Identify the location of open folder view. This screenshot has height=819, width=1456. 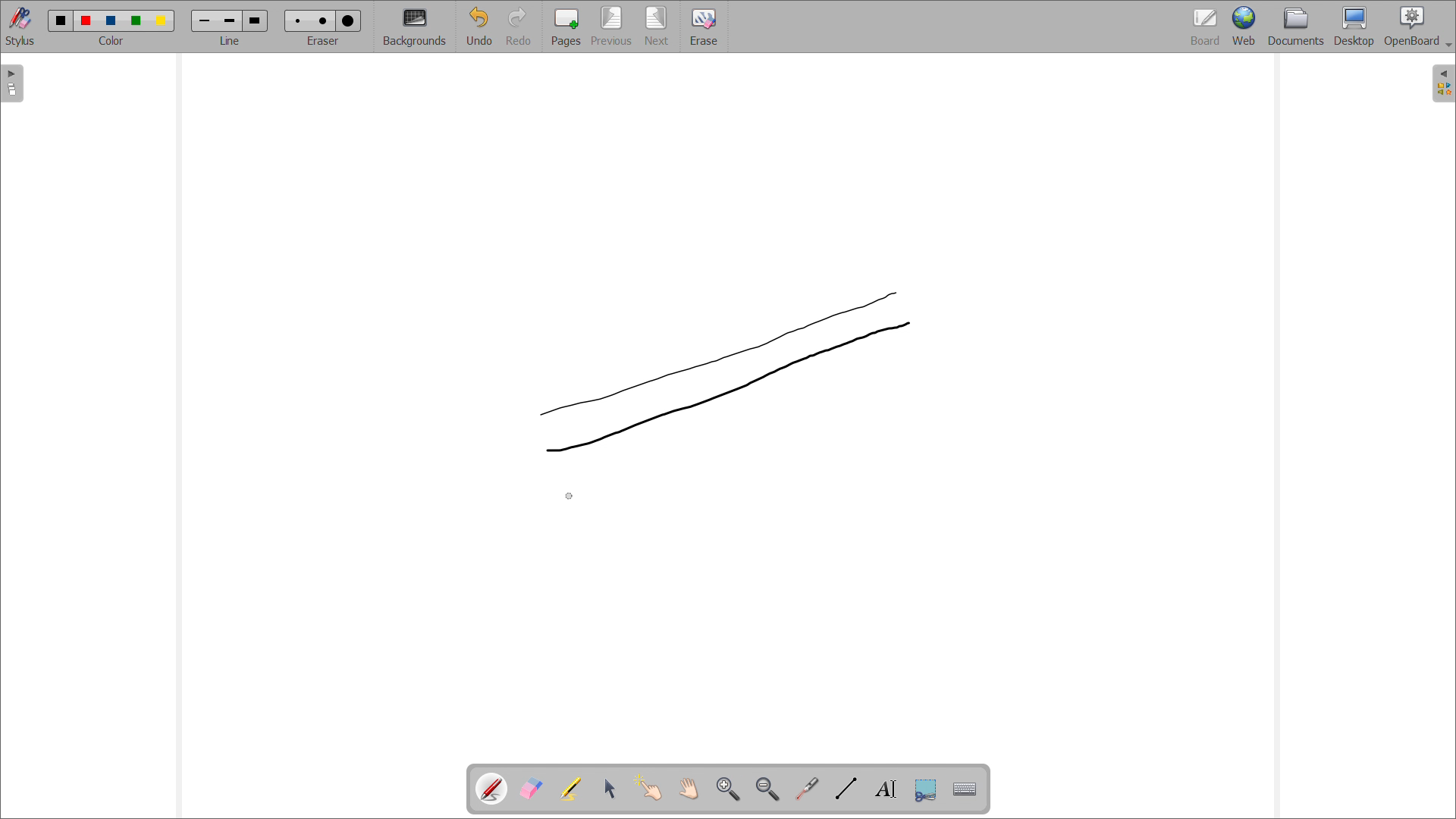
(1443, 83).